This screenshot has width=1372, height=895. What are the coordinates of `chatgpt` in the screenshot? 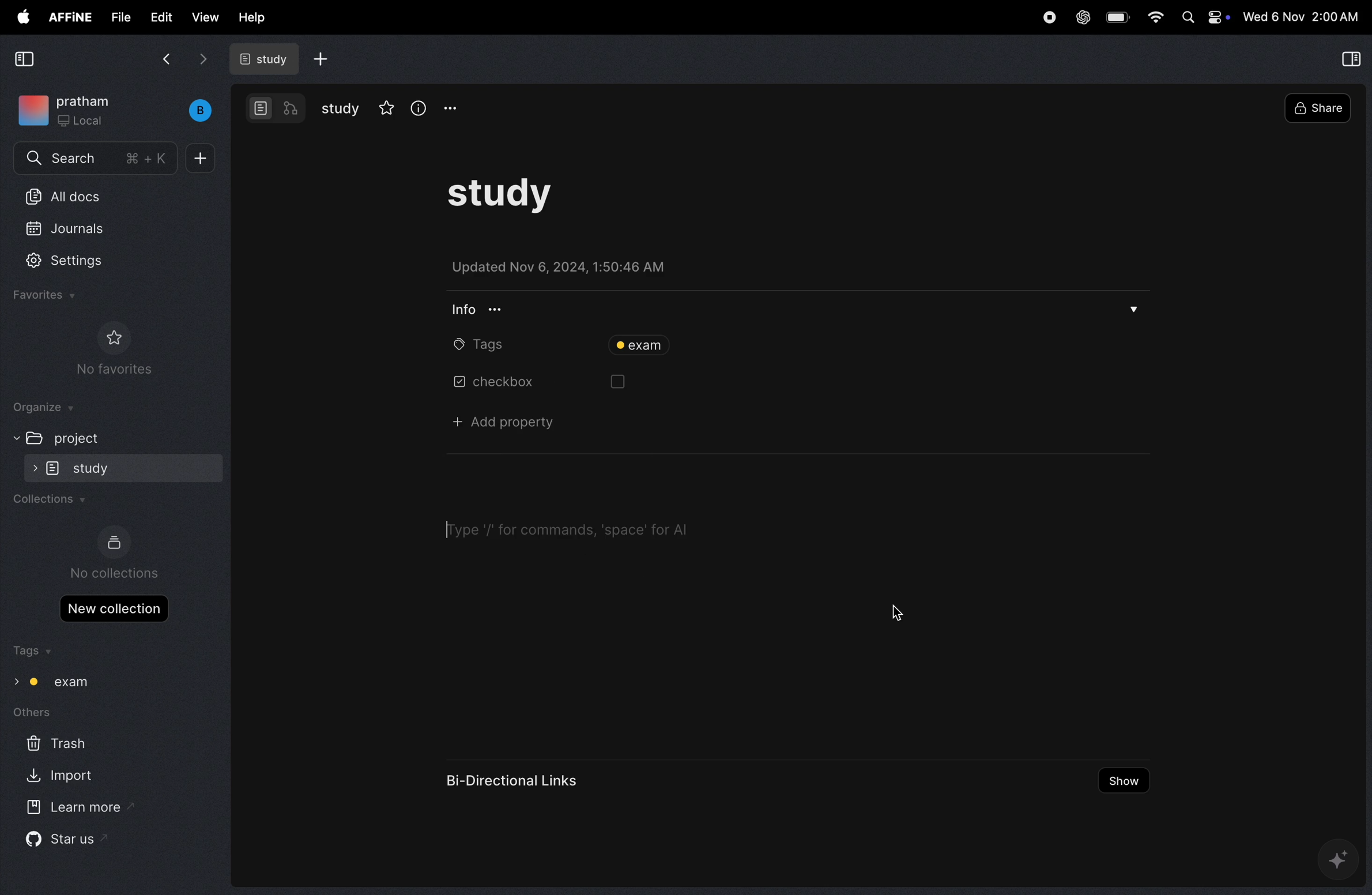 It's located at (1080, 18).